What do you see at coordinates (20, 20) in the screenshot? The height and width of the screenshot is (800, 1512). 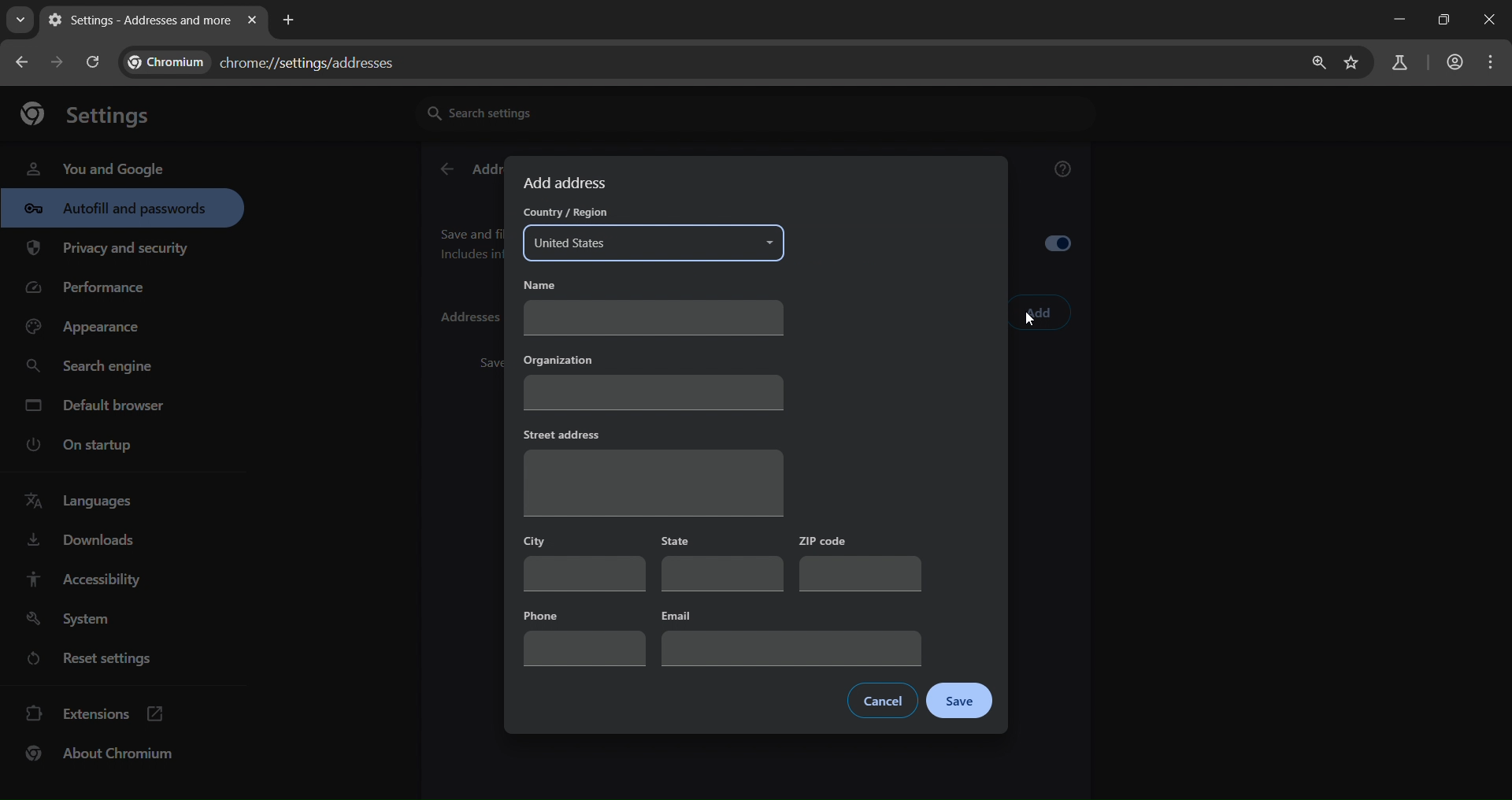 I see `search  tabs` at bounding box center [20, 20].